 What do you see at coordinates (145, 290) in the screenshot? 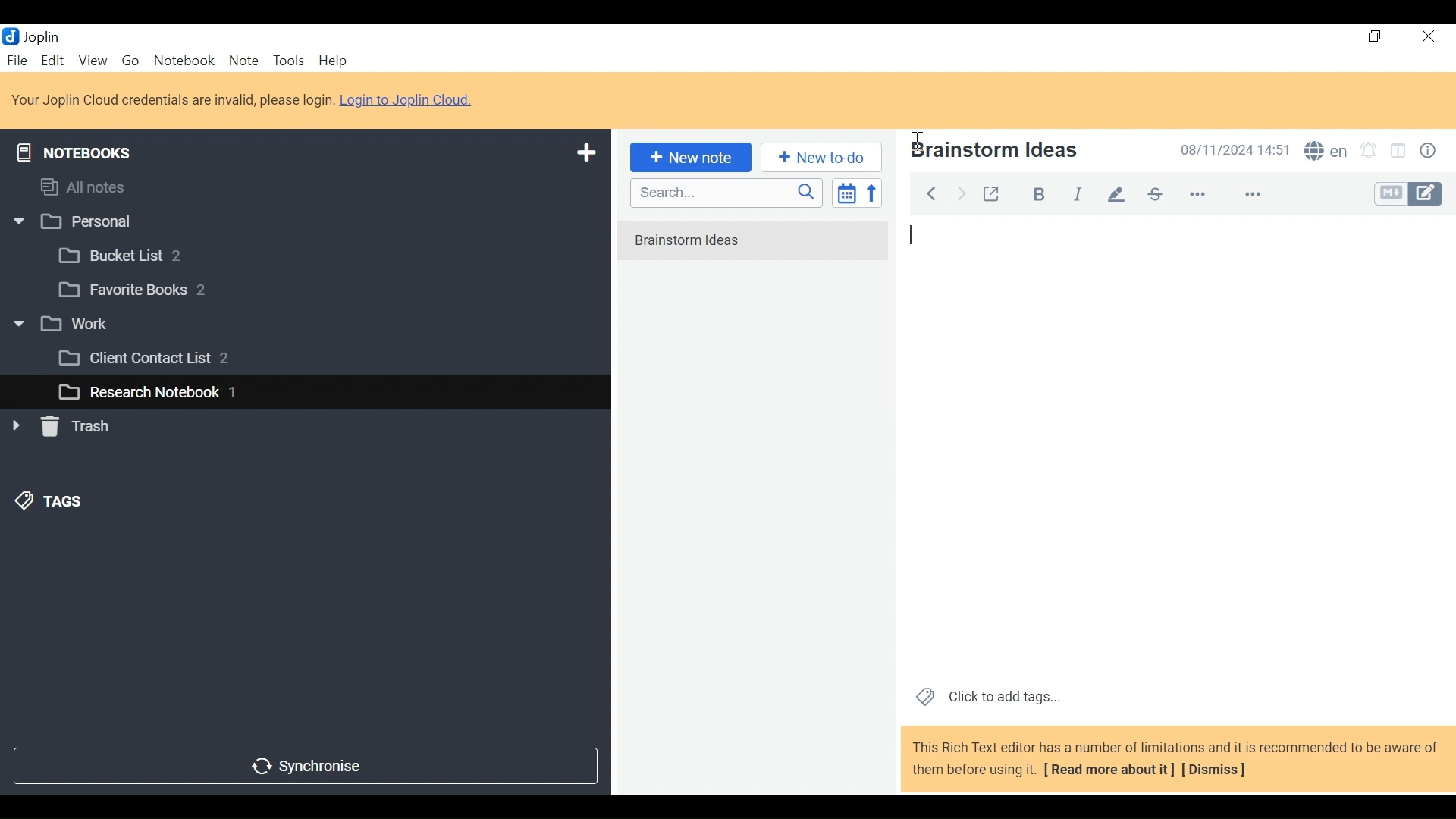
I see `[3 Favorite Books 2` at bounding box center [145, 290].